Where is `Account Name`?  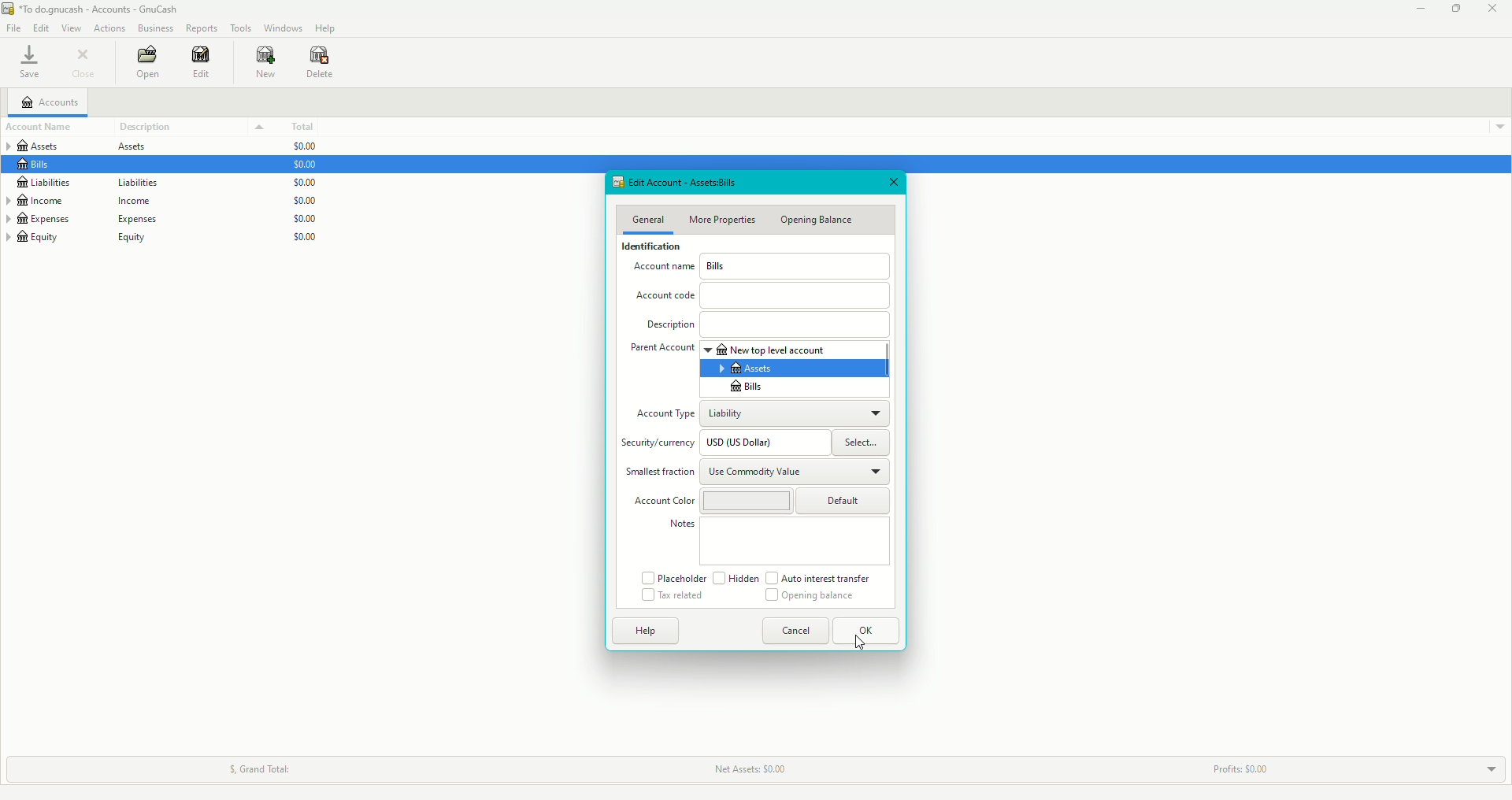 Account Name is located at coordinates (662, 269).